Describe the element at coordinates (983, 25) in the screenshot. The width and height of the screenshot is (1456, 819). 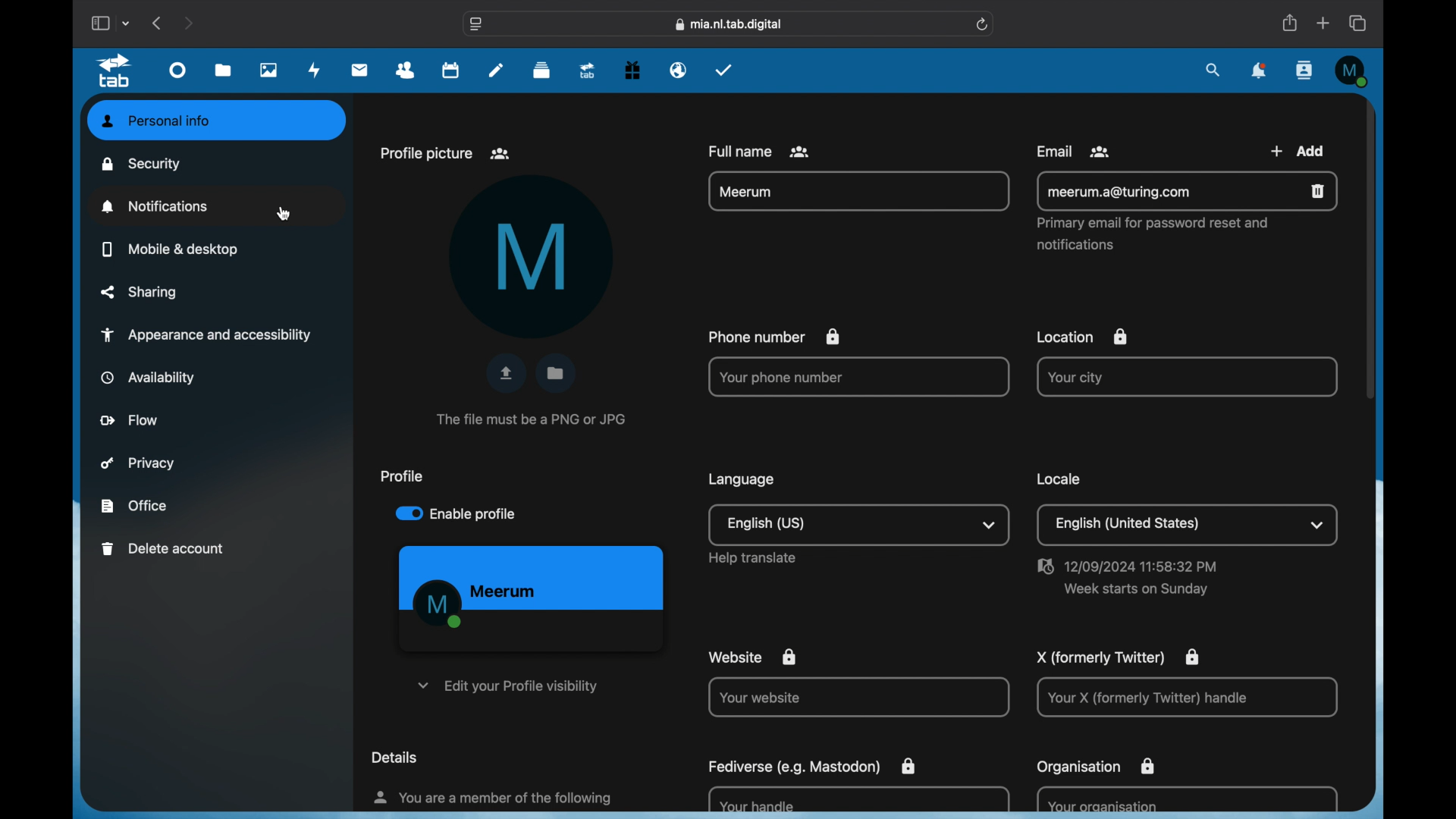
I see `refresh` at that location.